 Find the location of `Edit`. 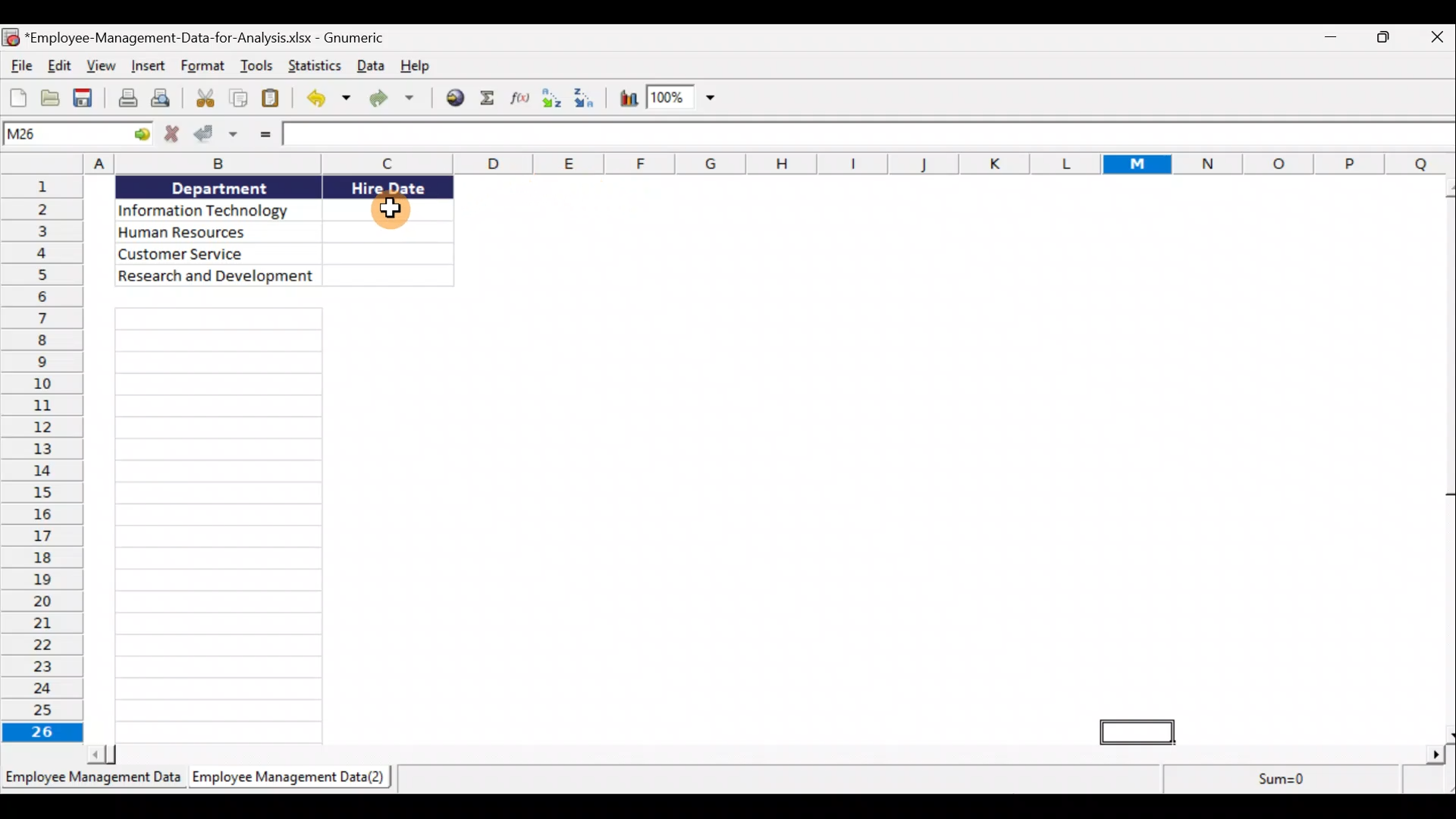

Edit is located at coordinates (58, 65).